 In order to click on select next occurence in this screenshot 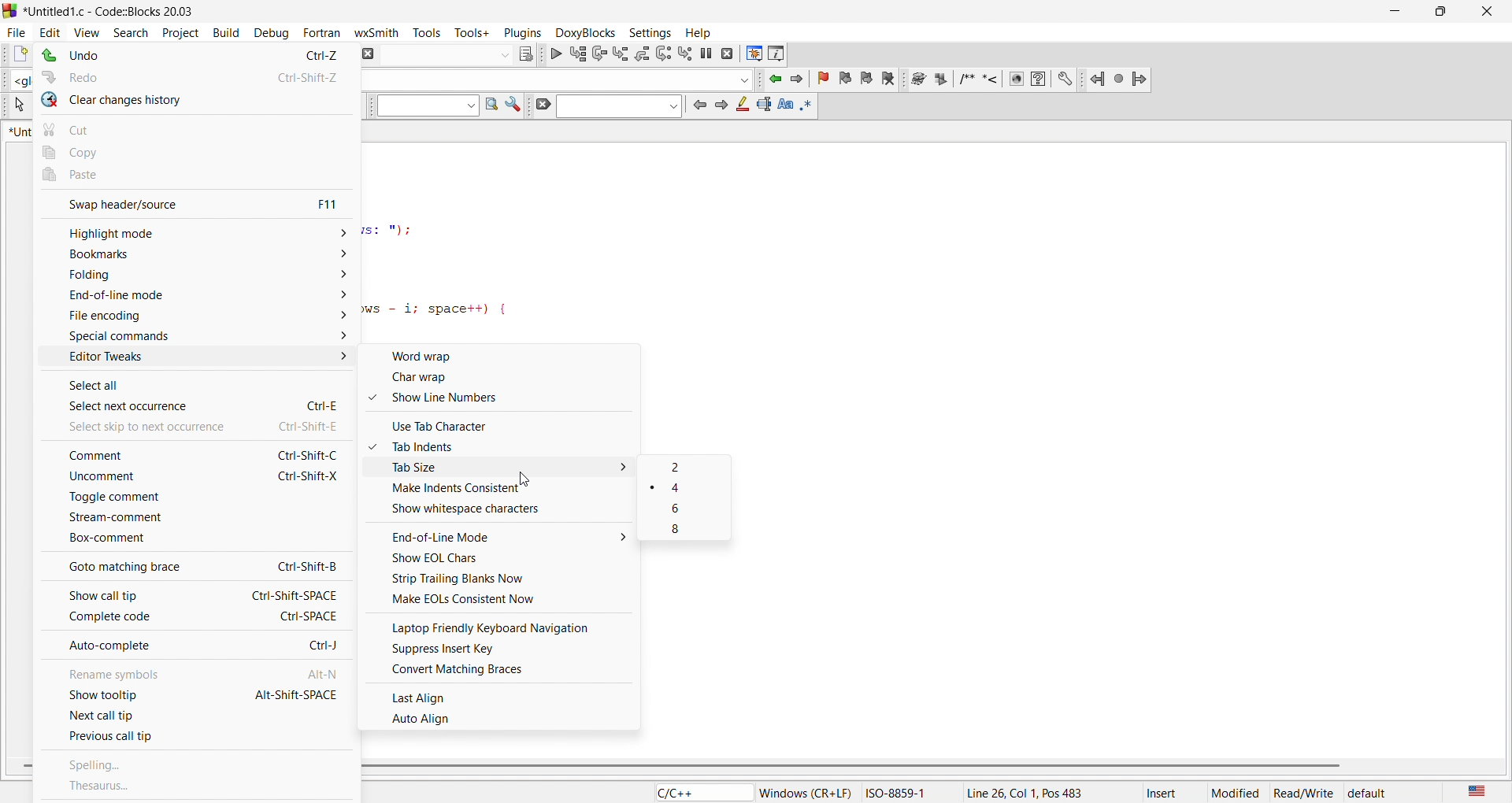, I will do `click(135, 409)`.